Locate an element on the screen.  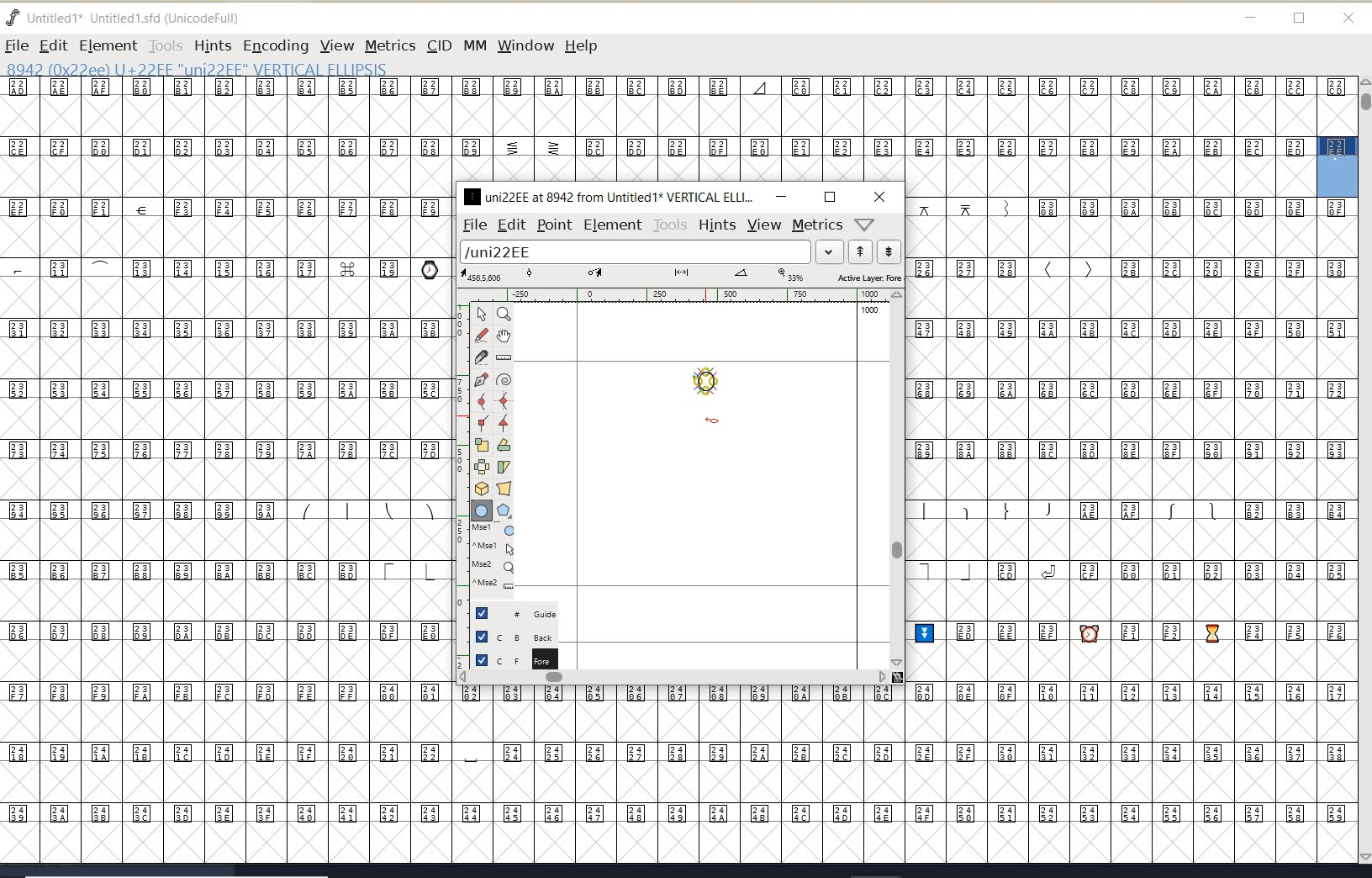
rotate the selection is located at coordinates (504, 445).